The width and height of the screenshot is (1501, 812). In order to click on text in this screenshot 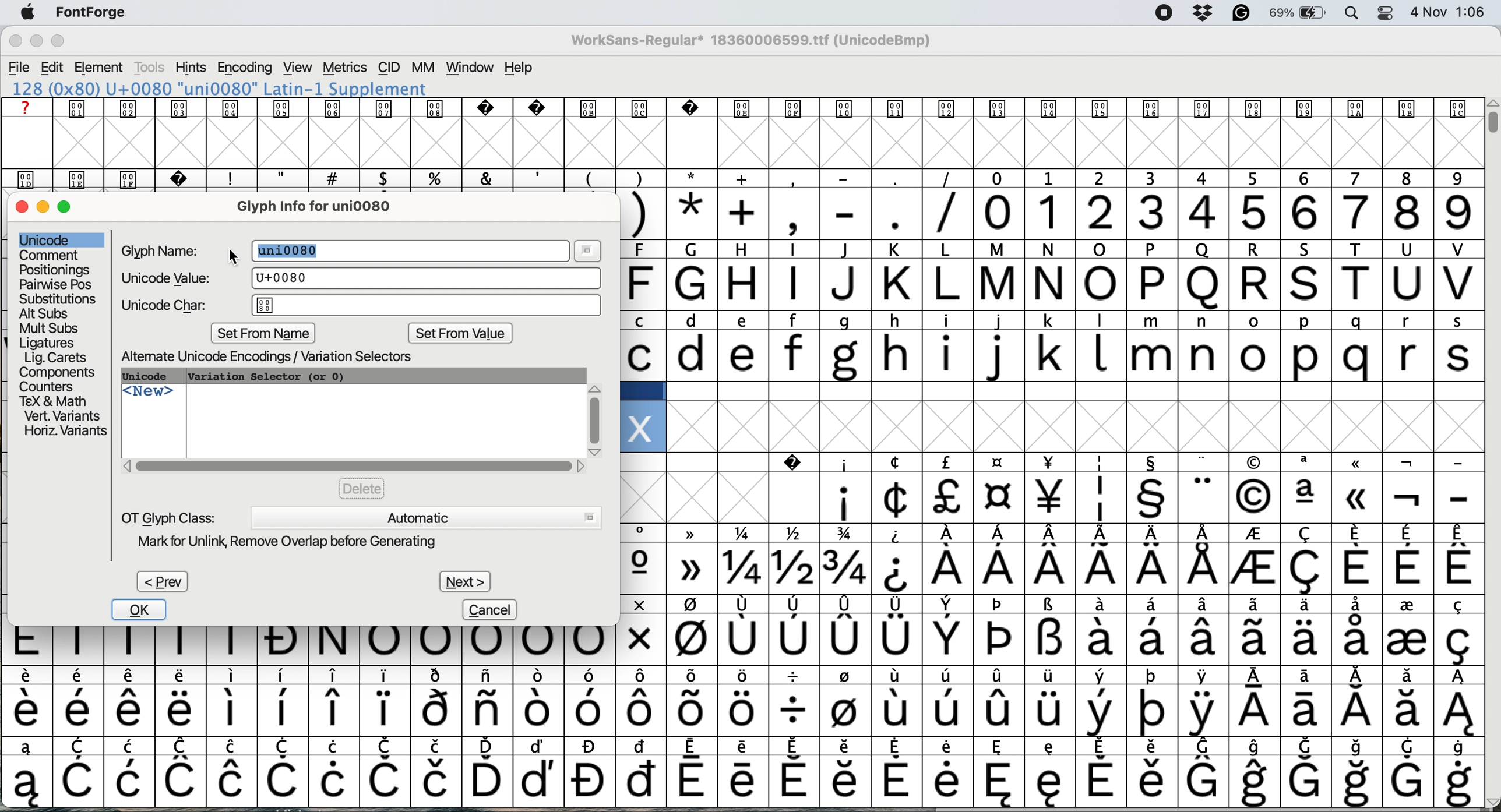, I will do `click(738, 108)`.